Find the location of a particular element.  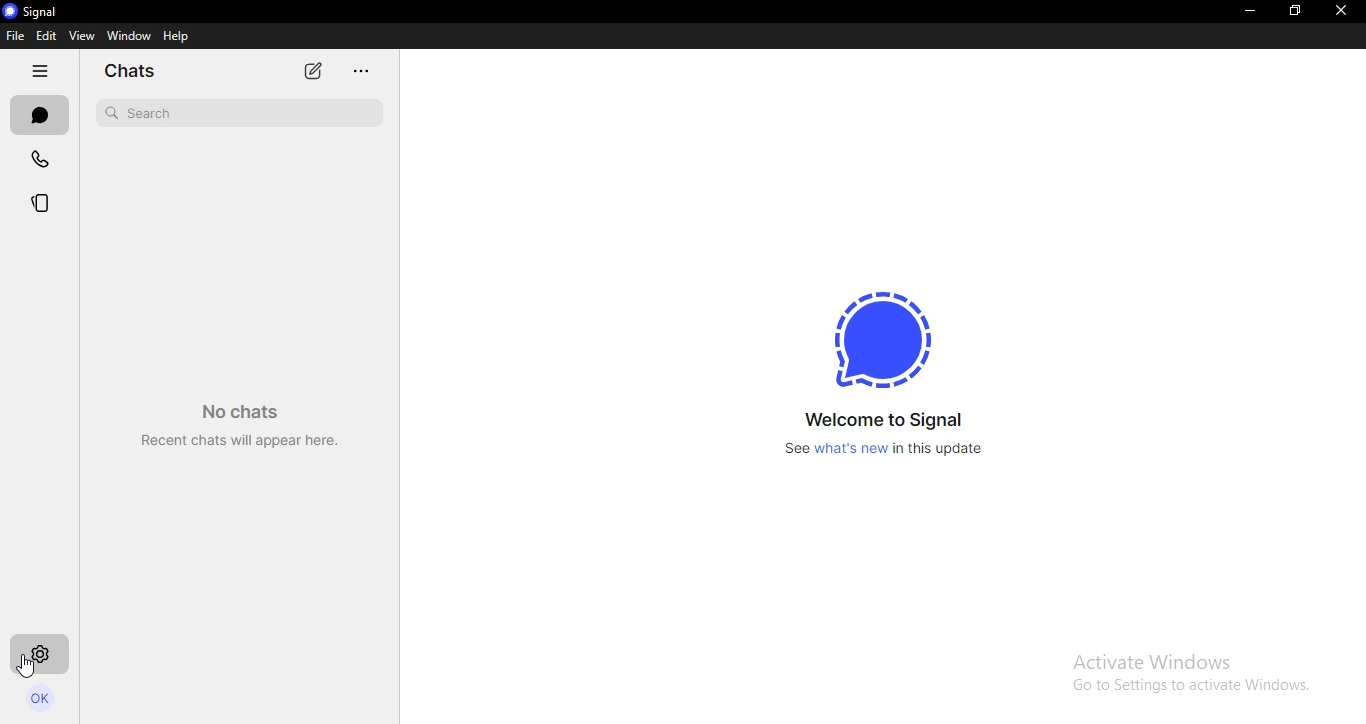

cursor is located at coordinates (26, 663).